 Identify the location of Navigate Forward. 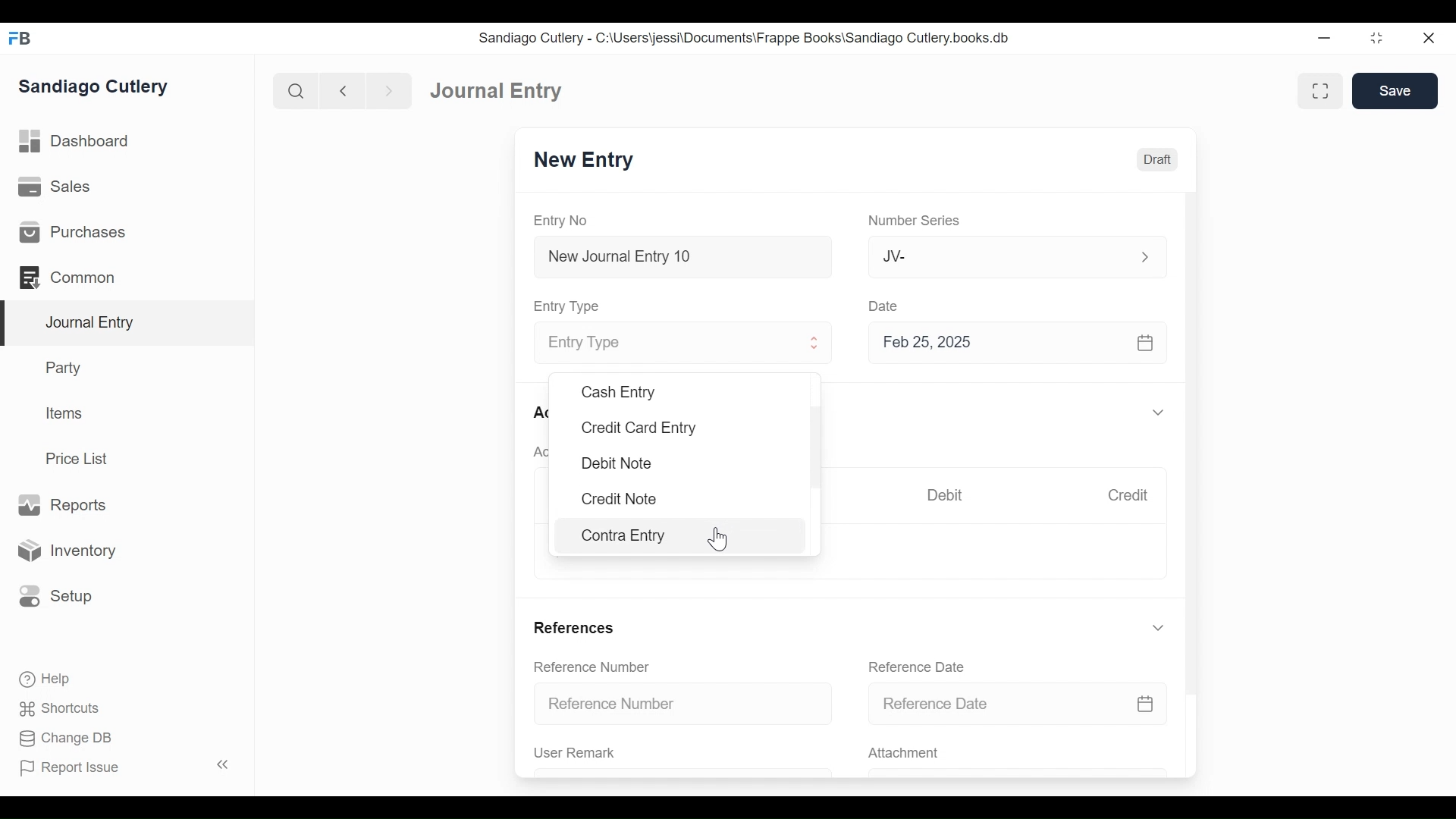
(390, 89).